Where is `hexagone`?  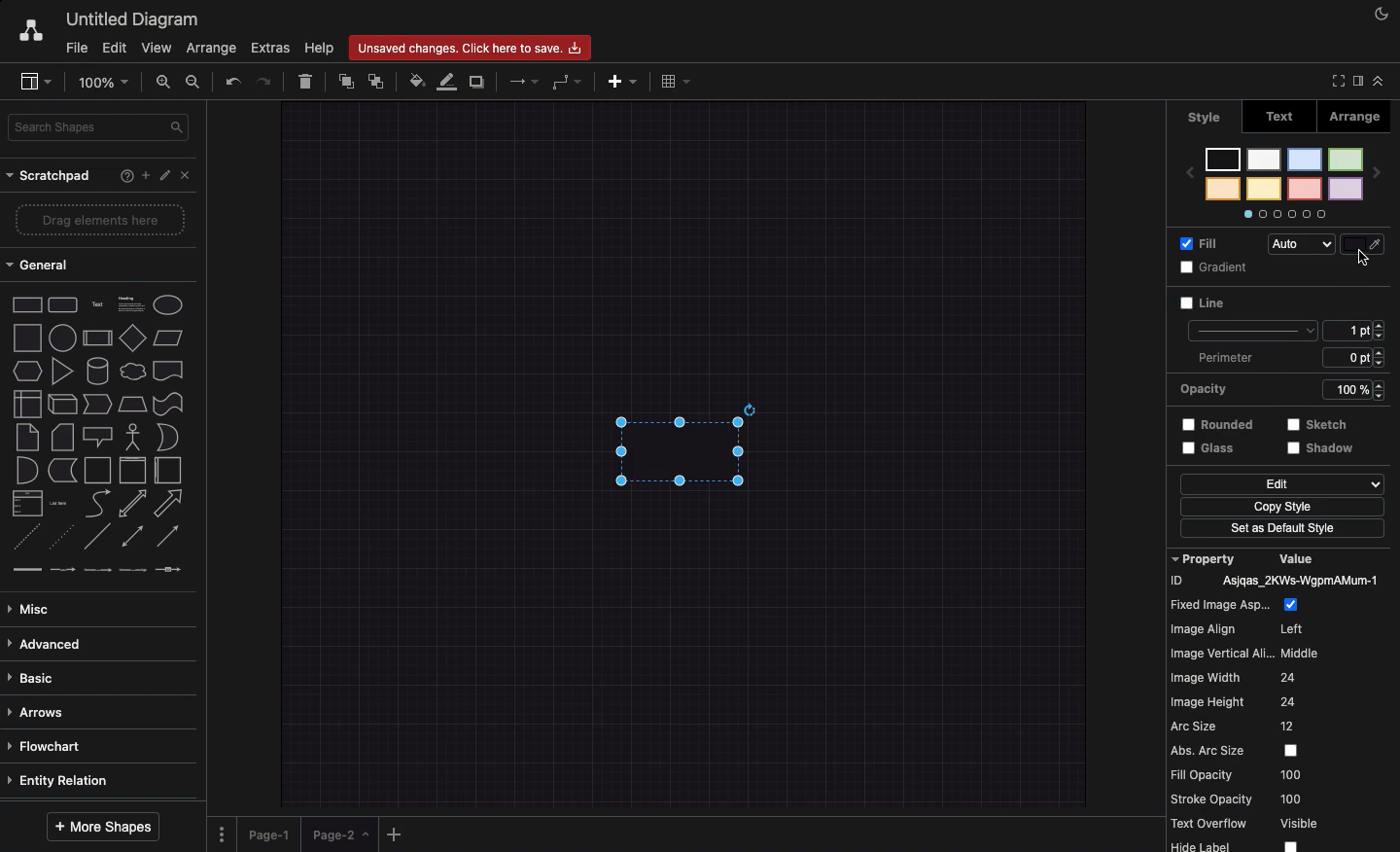 hexagone is located at coordinates (26, 369).